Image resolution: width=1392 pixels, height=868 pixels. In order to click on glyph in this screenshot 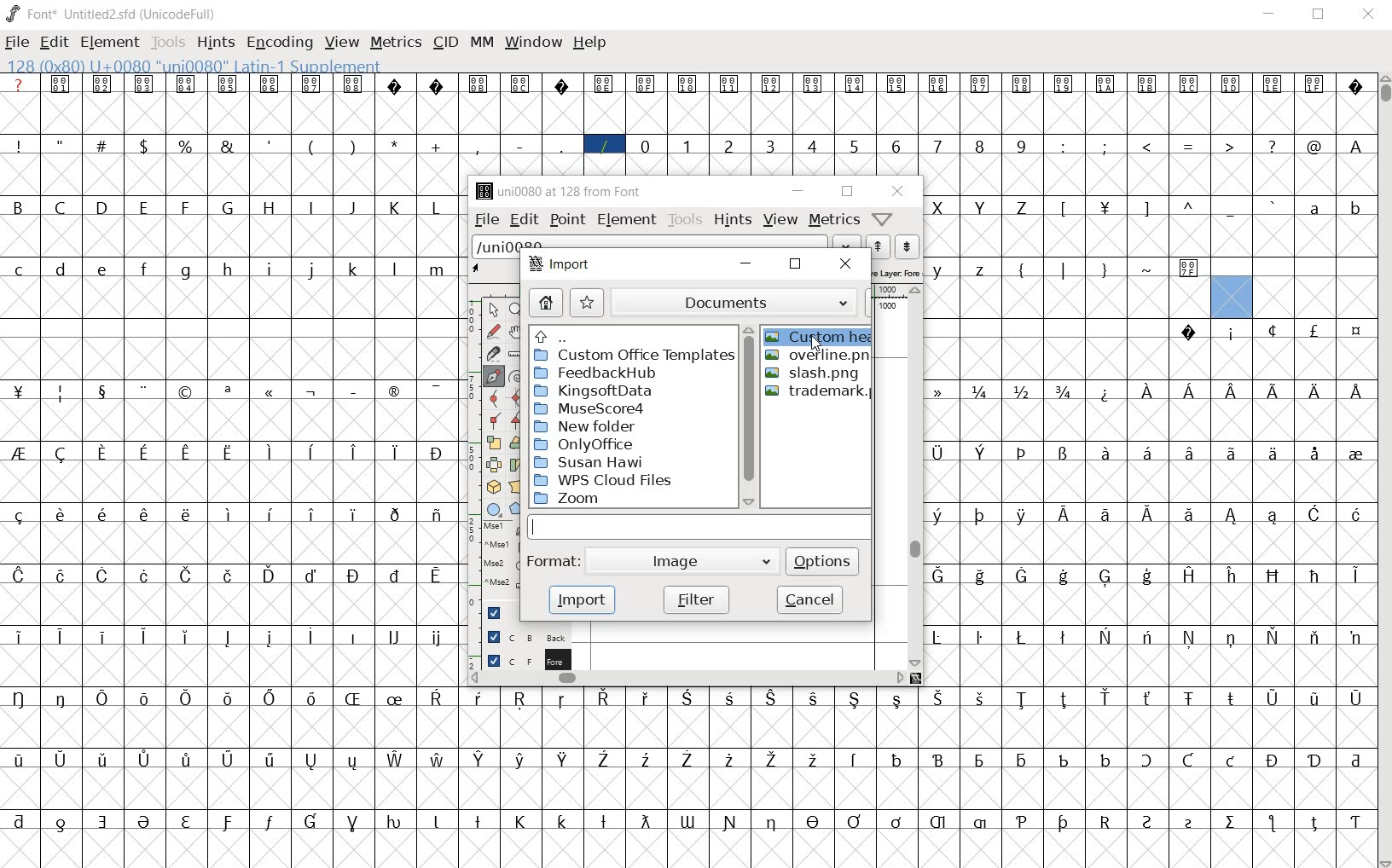, I will do `click(1273, 84)`.